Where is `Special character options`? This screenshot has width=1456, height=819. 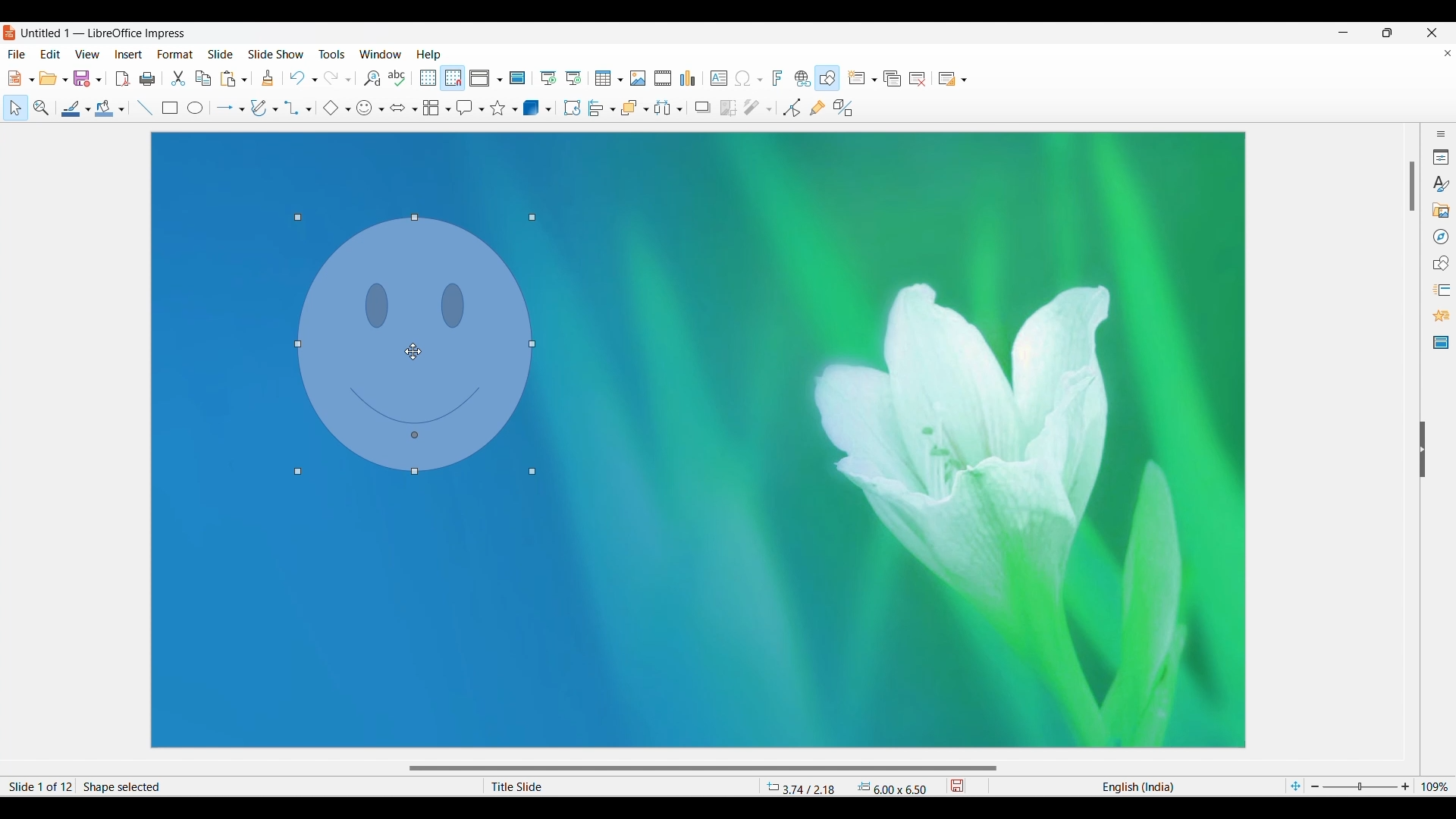 Special character options is located at coordinates (760, 80).